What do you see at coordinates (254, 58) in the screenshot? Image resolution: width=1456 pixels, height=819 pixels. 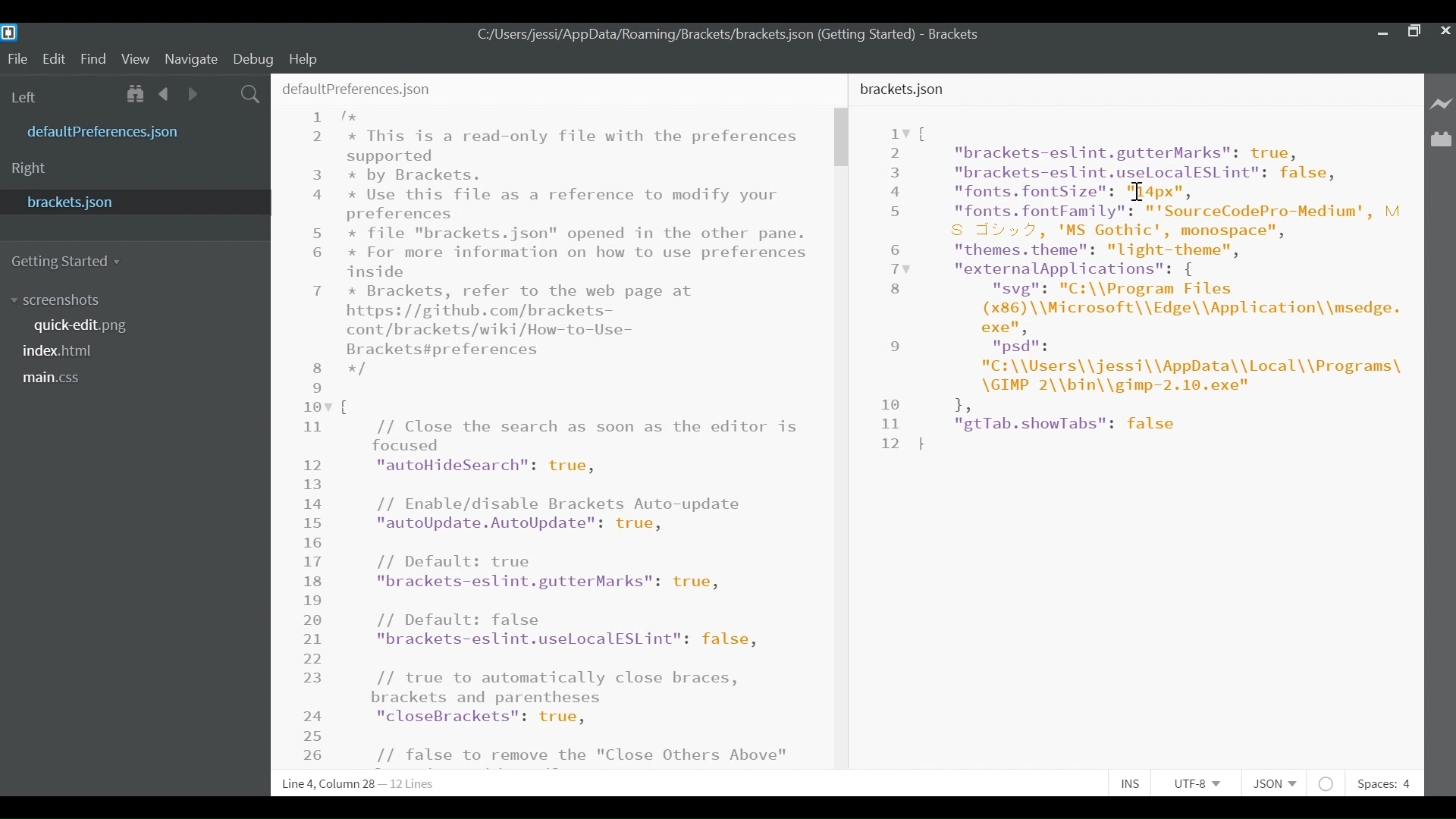 I see `Debug` at bounding box center [254, 58].